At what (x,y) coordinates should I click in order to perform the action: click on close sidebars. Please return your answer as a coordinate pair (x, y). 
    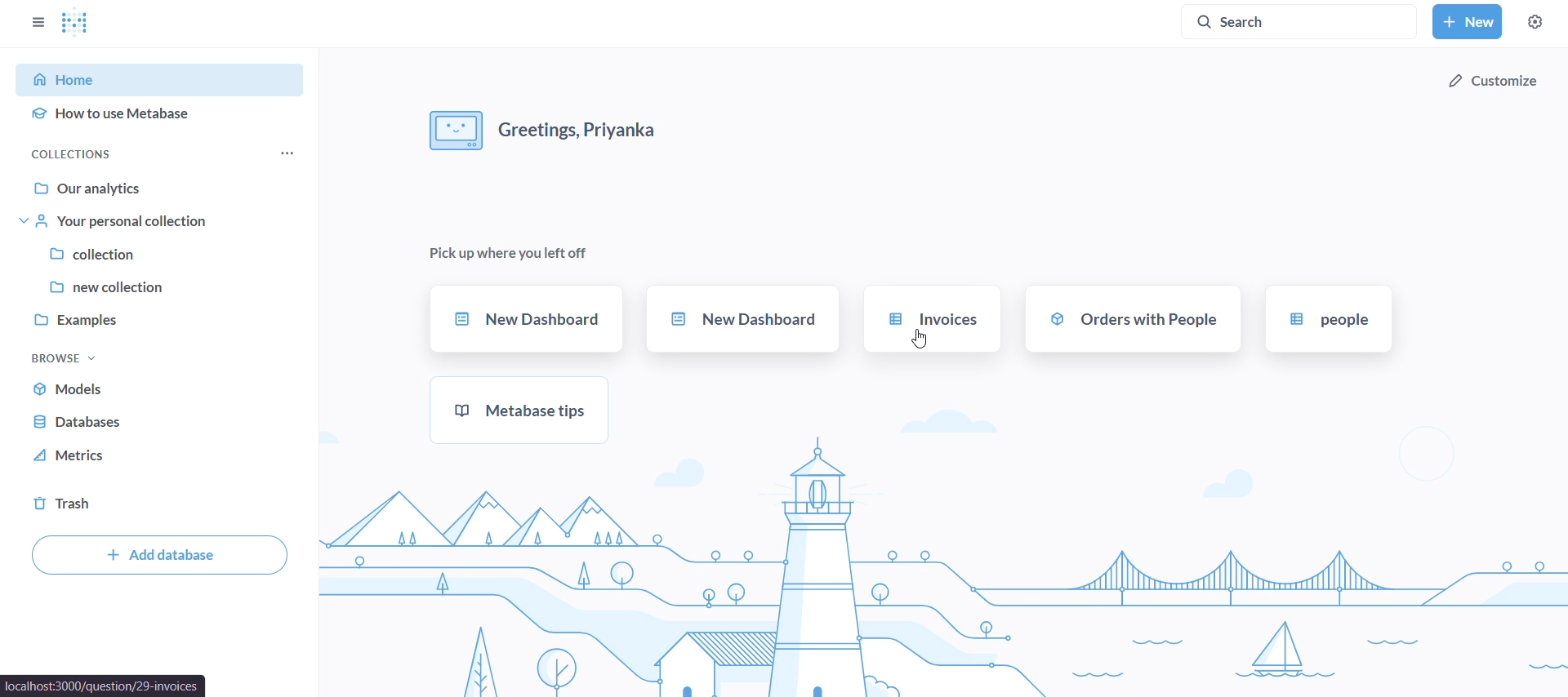
    Looking at the image, I should click on (36, 20).